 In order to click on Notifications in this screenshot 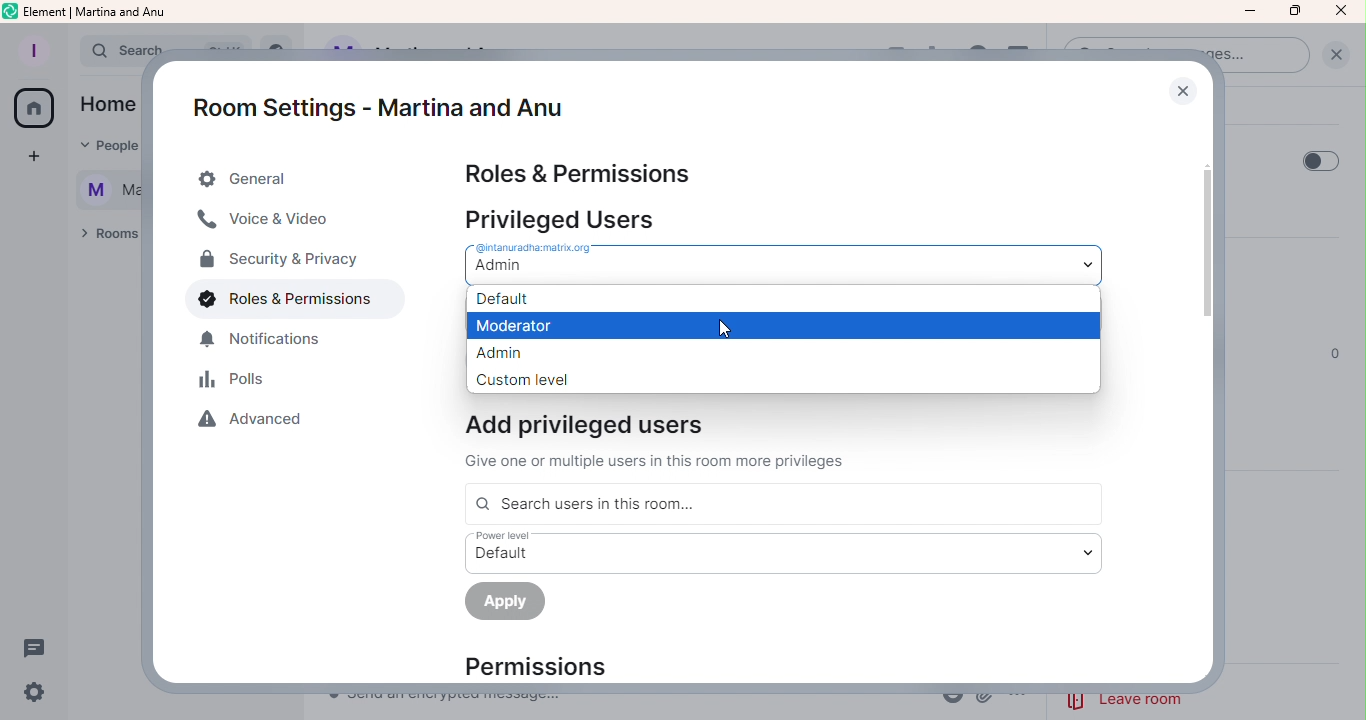, I will do `click(272, 344)`.